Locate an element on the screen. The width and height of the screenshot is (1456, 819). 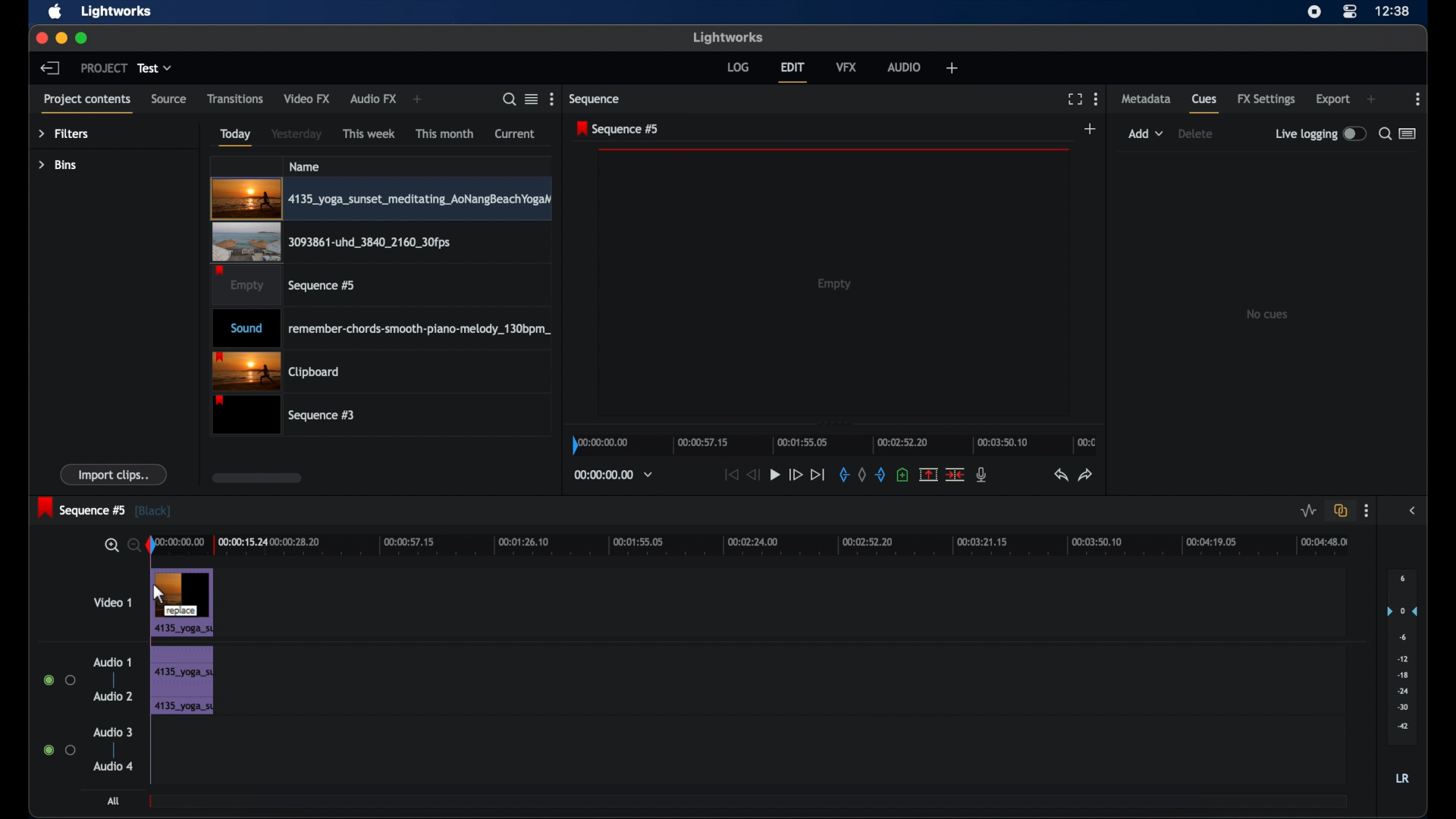
live logging is located at coordinates (1319, 133).